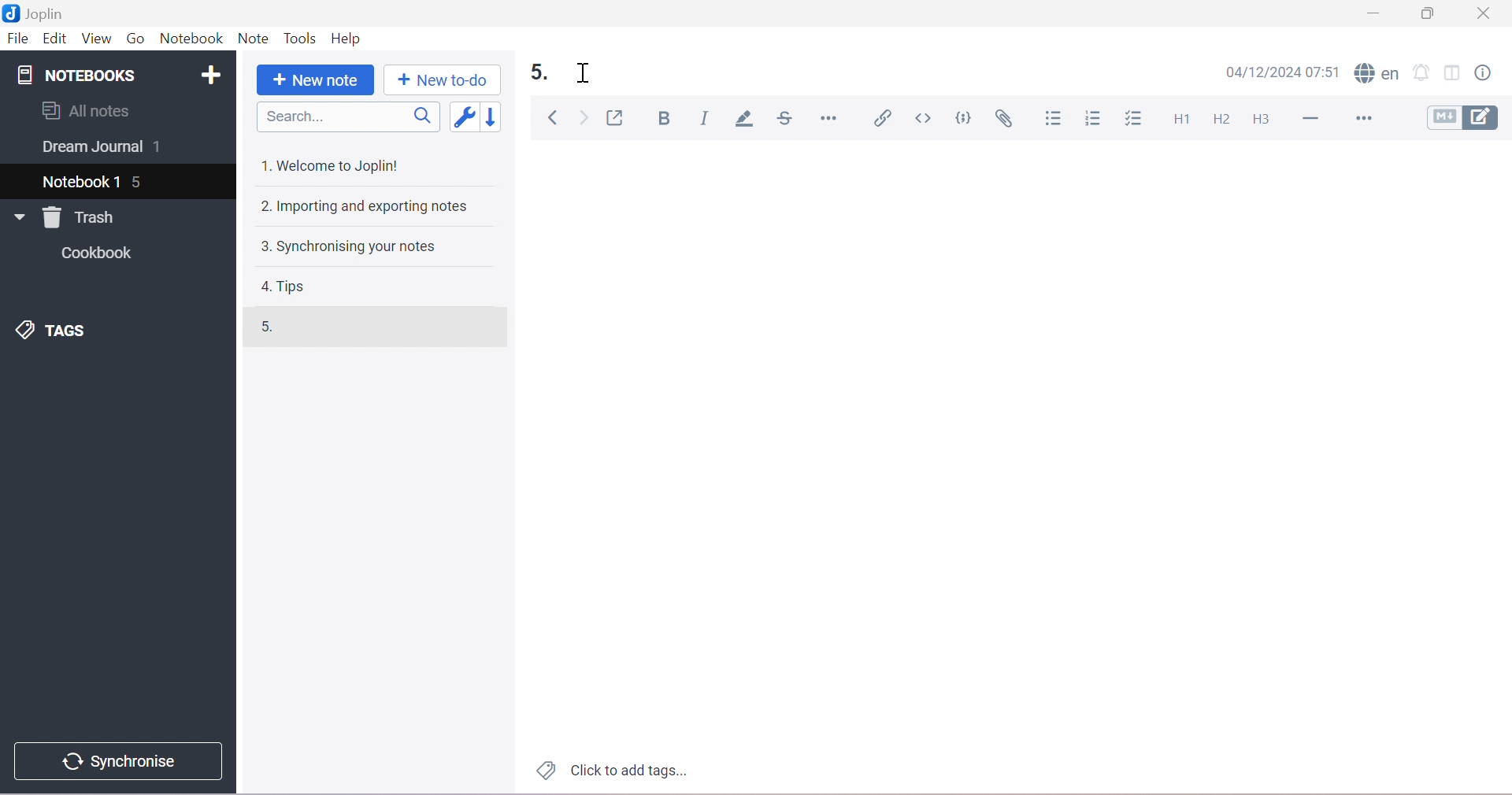 This screenshot has height=795, width=1512. What do you see at coordinates (54, 39) in the screenshot?
I see `Edit` at bounding box center [54, 39].